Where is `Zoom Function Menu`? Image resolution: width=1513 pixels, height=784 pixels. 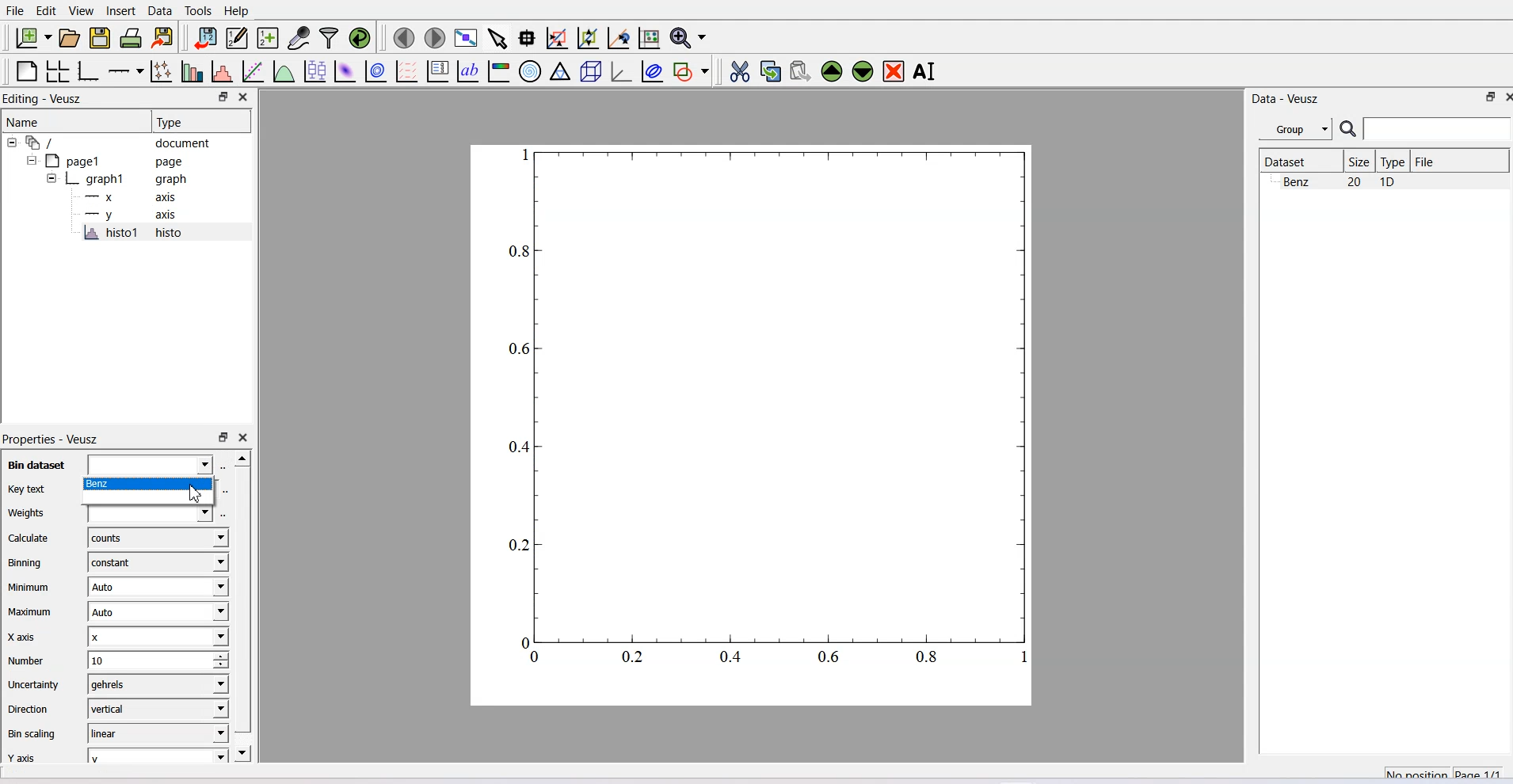
Zoom Function Menu is located at coordinates (690, 37).